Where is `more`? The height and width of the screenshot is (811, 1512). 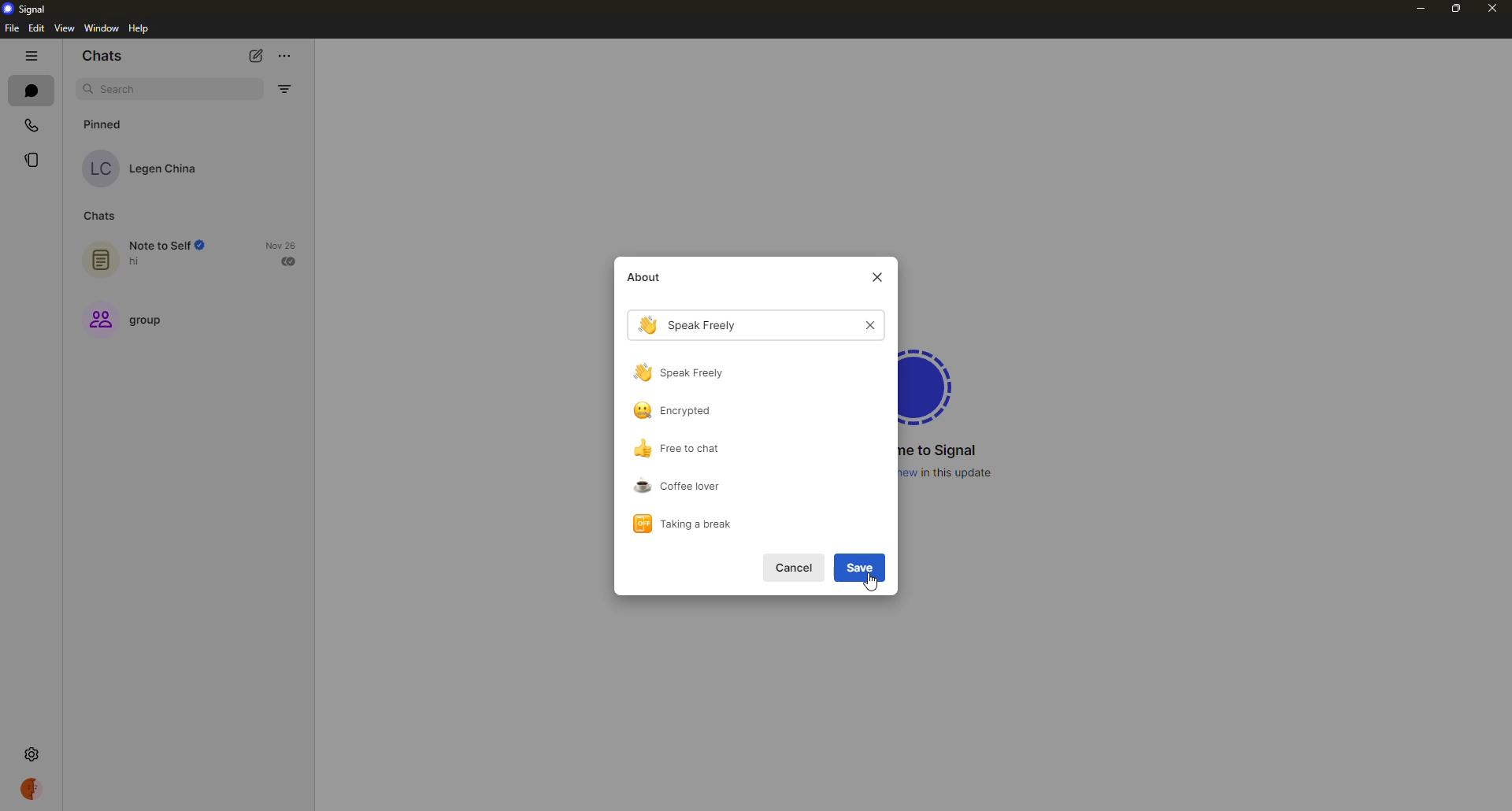
more is located at coordinates (286, 52).